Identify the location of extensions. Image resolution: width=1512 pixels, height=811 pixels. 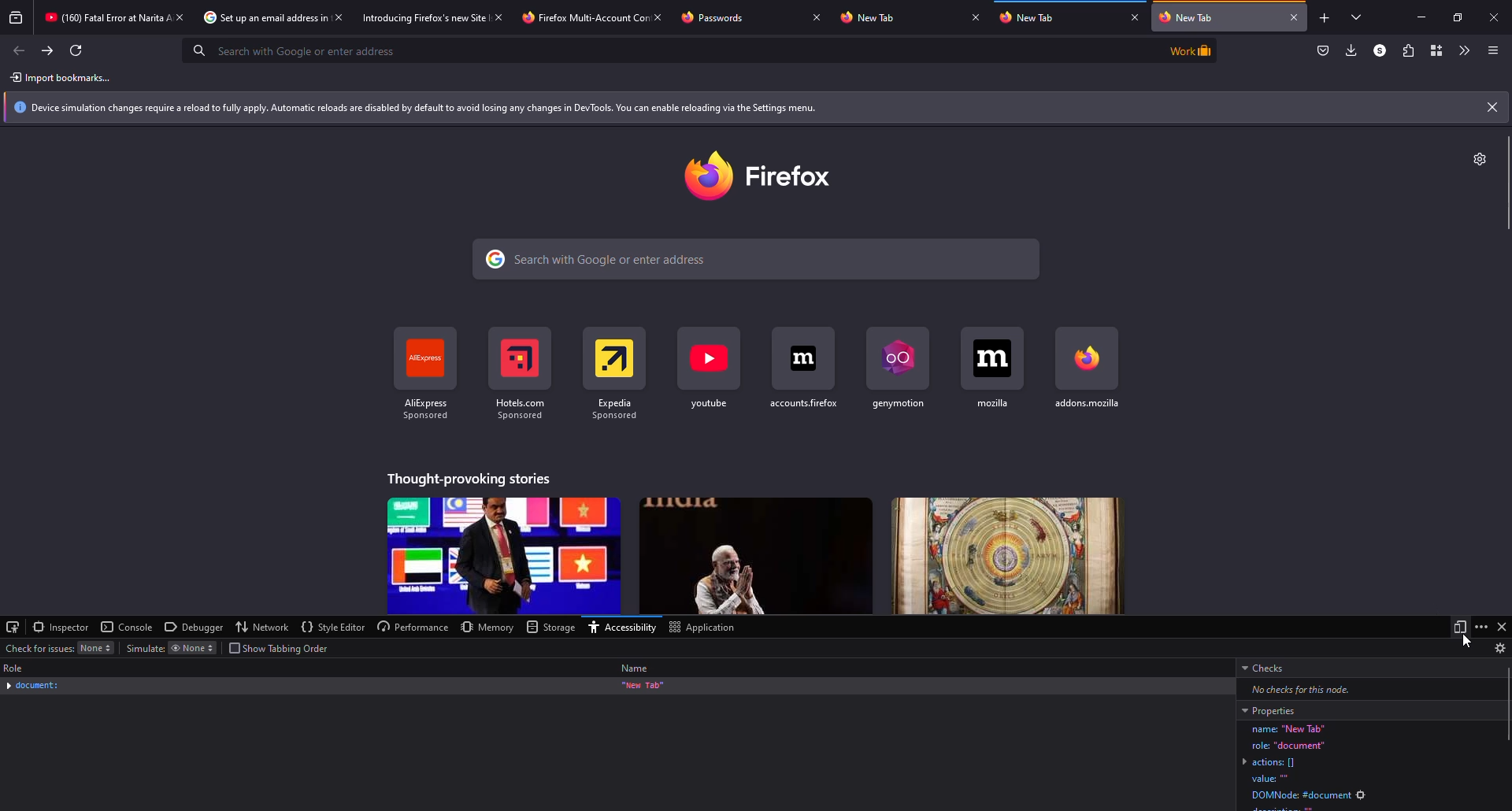
(1406, 50).